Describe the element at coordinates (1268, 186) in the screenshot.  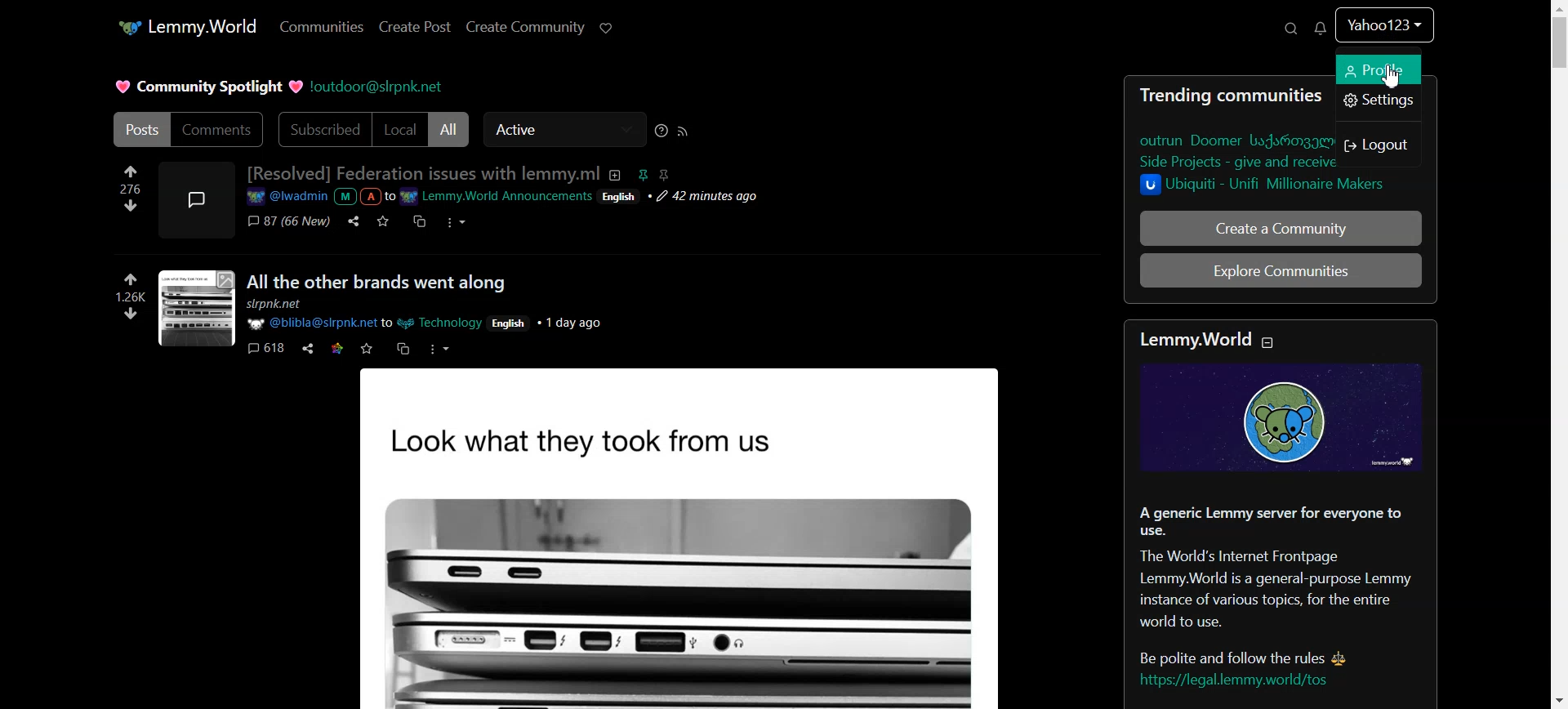
I see `Ubiquiti - unifi millionaire makers` at that location.